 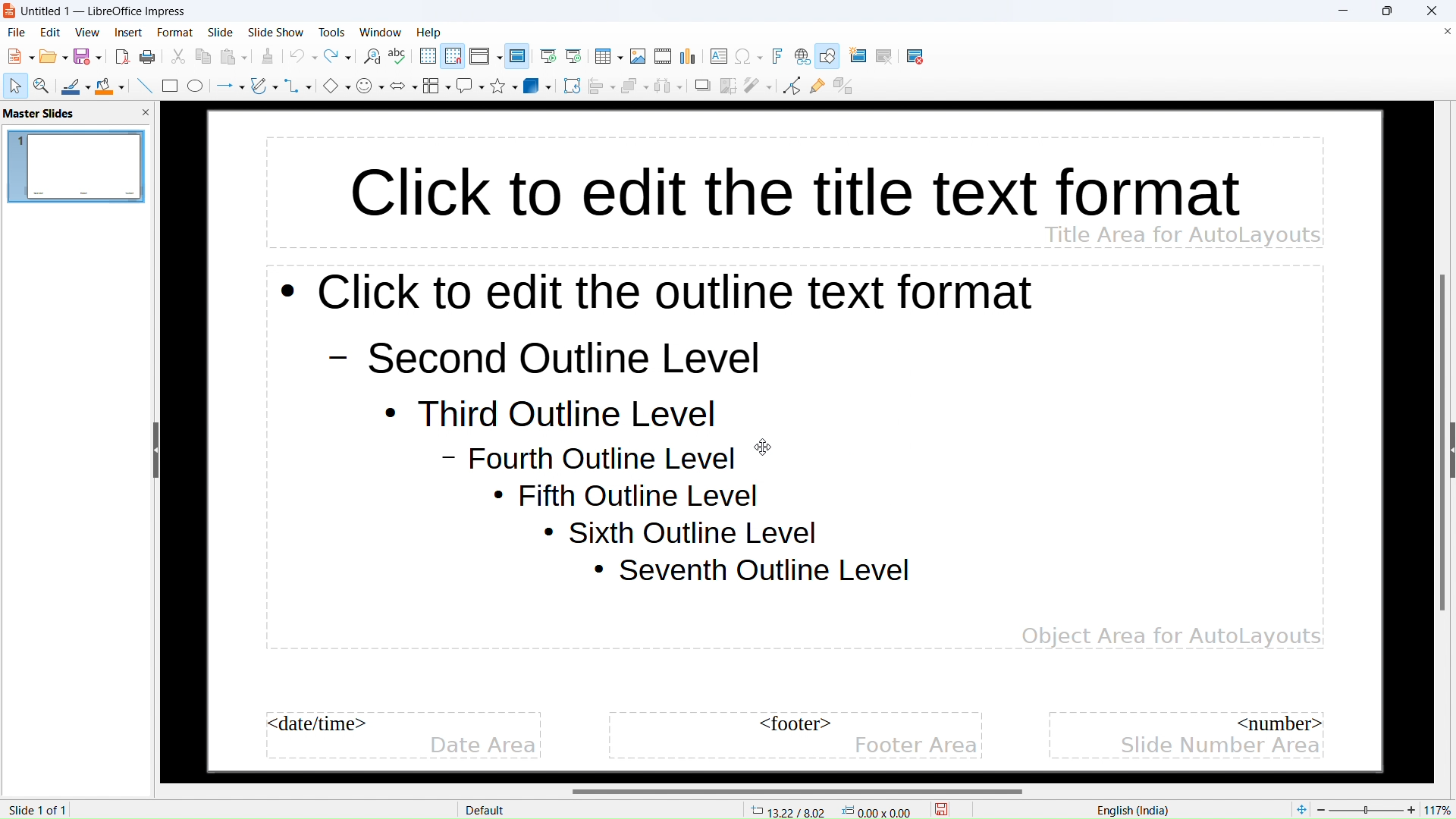 I want to click on insert audio or video, so click(x=664, y=57).